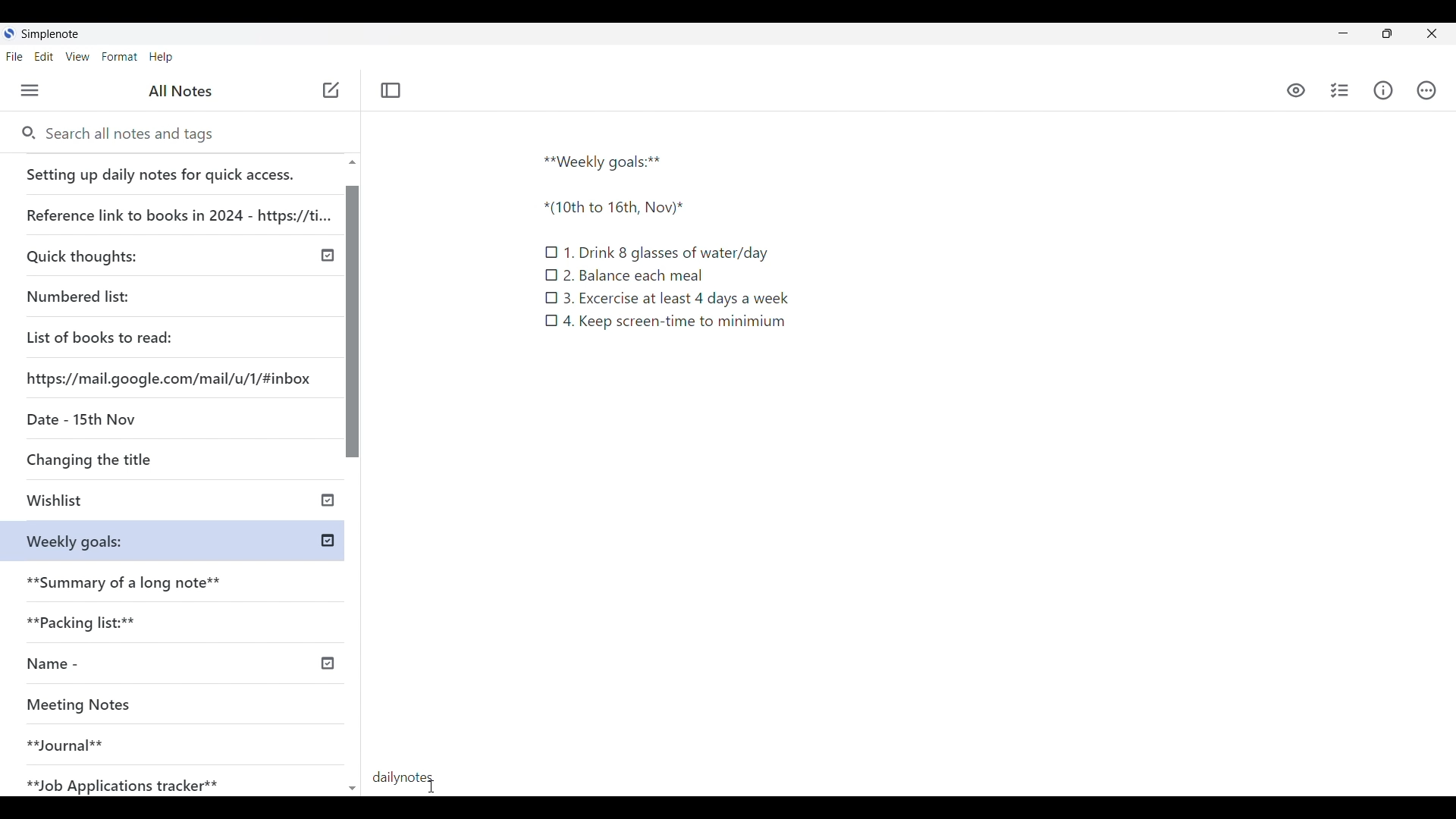  Describe the element at coordinates (179, 620) in the screenshot. I see `Packing lists` at that location.